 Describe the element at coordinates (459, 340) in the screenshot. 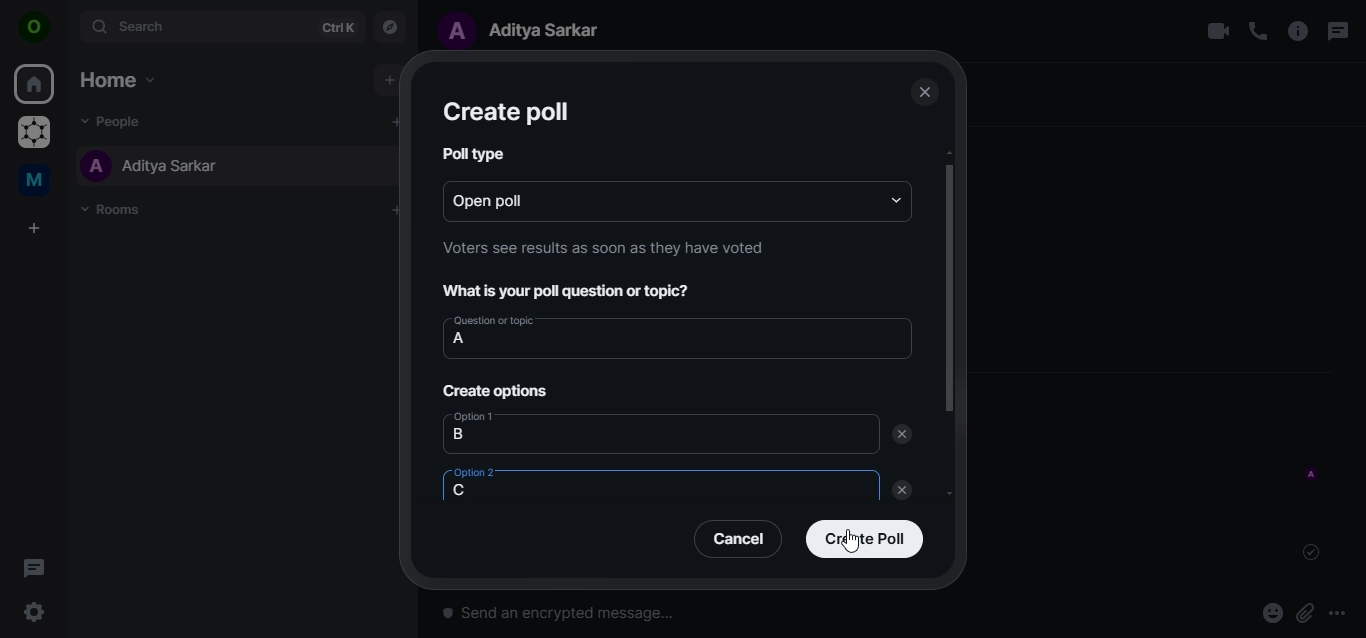

I see `a` at that location.